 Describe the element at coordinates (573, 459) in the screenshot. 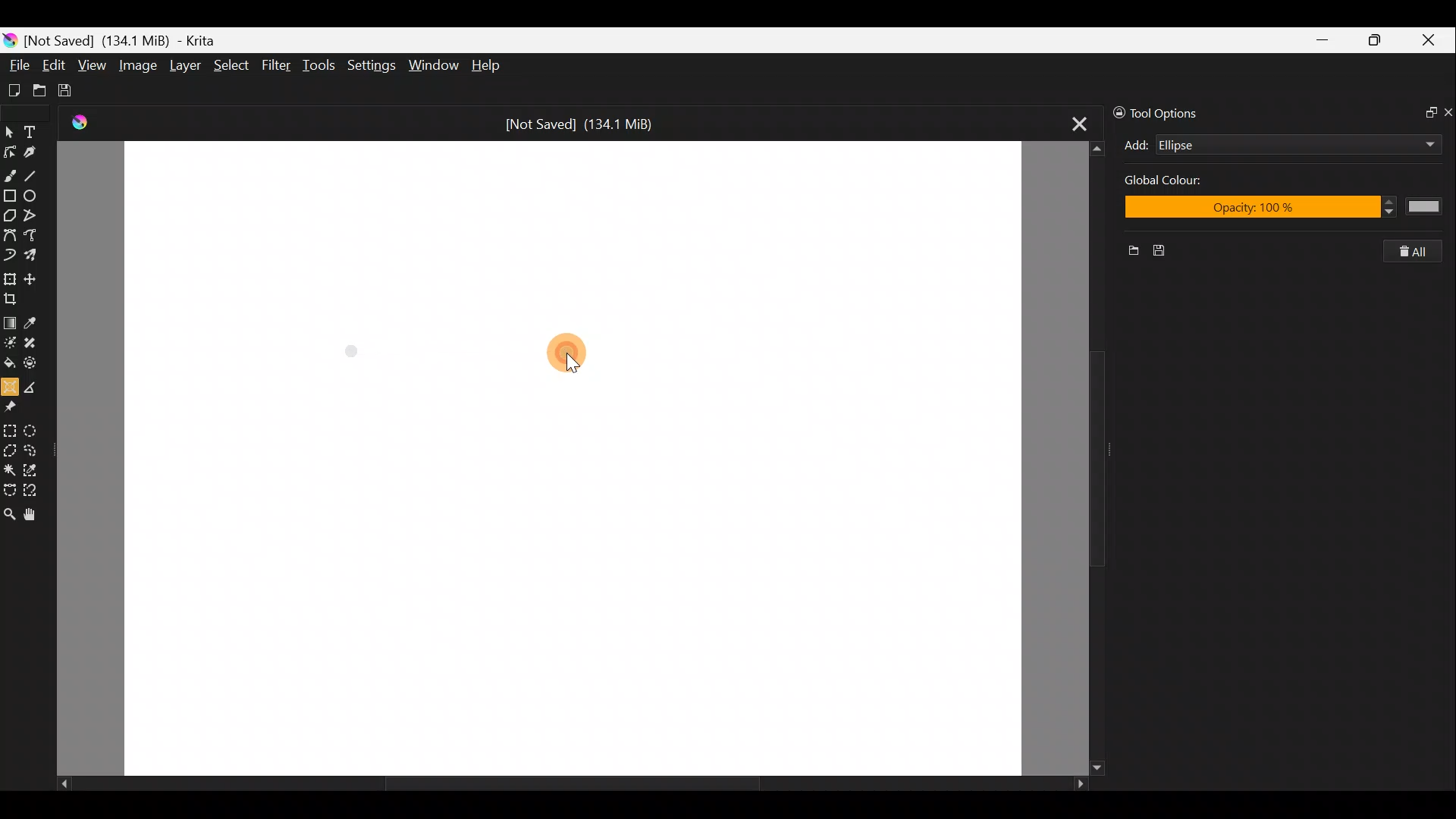

I see `Canvas` at that location.